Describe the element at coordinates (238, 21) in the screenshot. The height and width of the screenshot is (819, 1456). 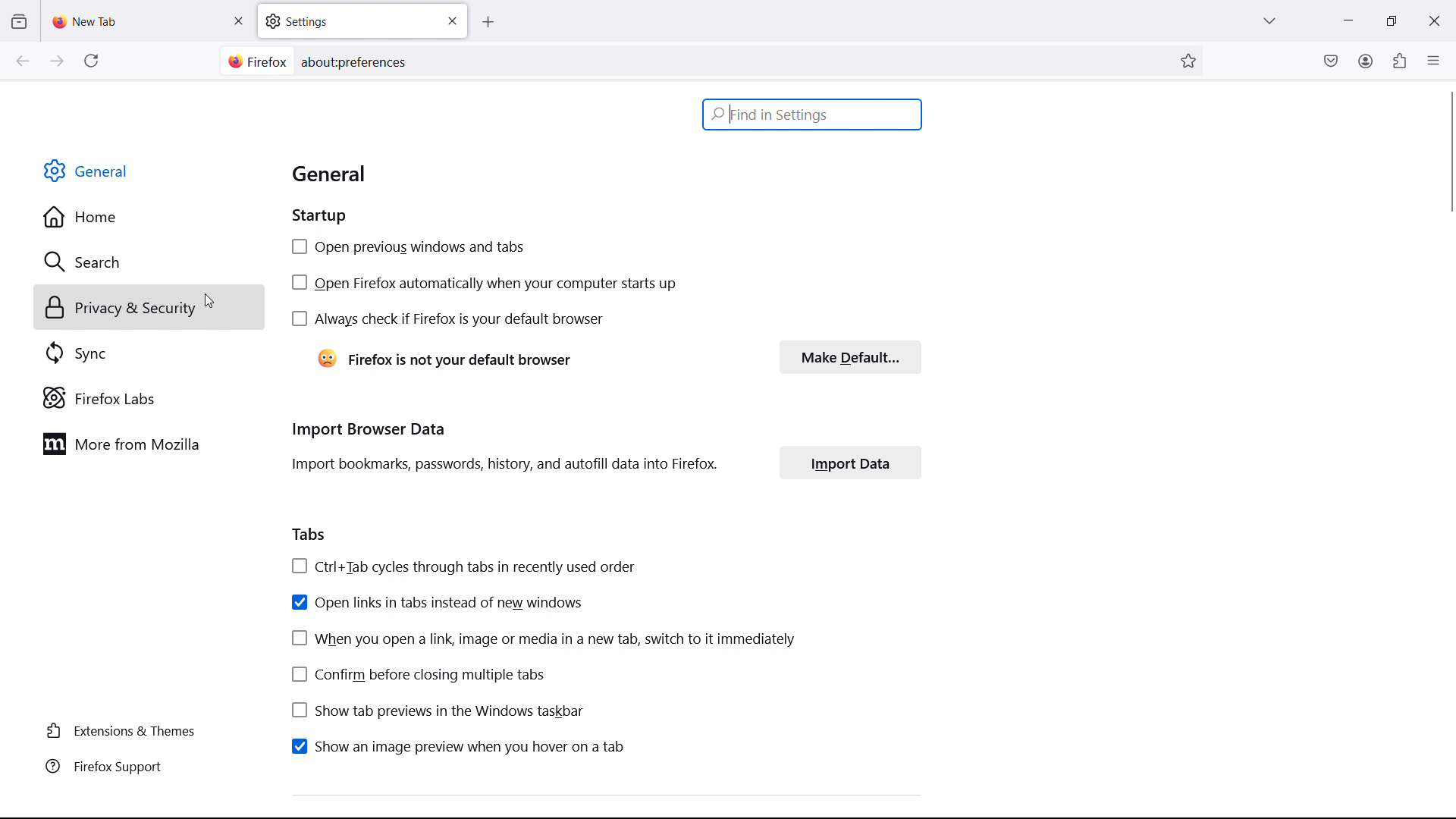
I see `close tab` at that location.